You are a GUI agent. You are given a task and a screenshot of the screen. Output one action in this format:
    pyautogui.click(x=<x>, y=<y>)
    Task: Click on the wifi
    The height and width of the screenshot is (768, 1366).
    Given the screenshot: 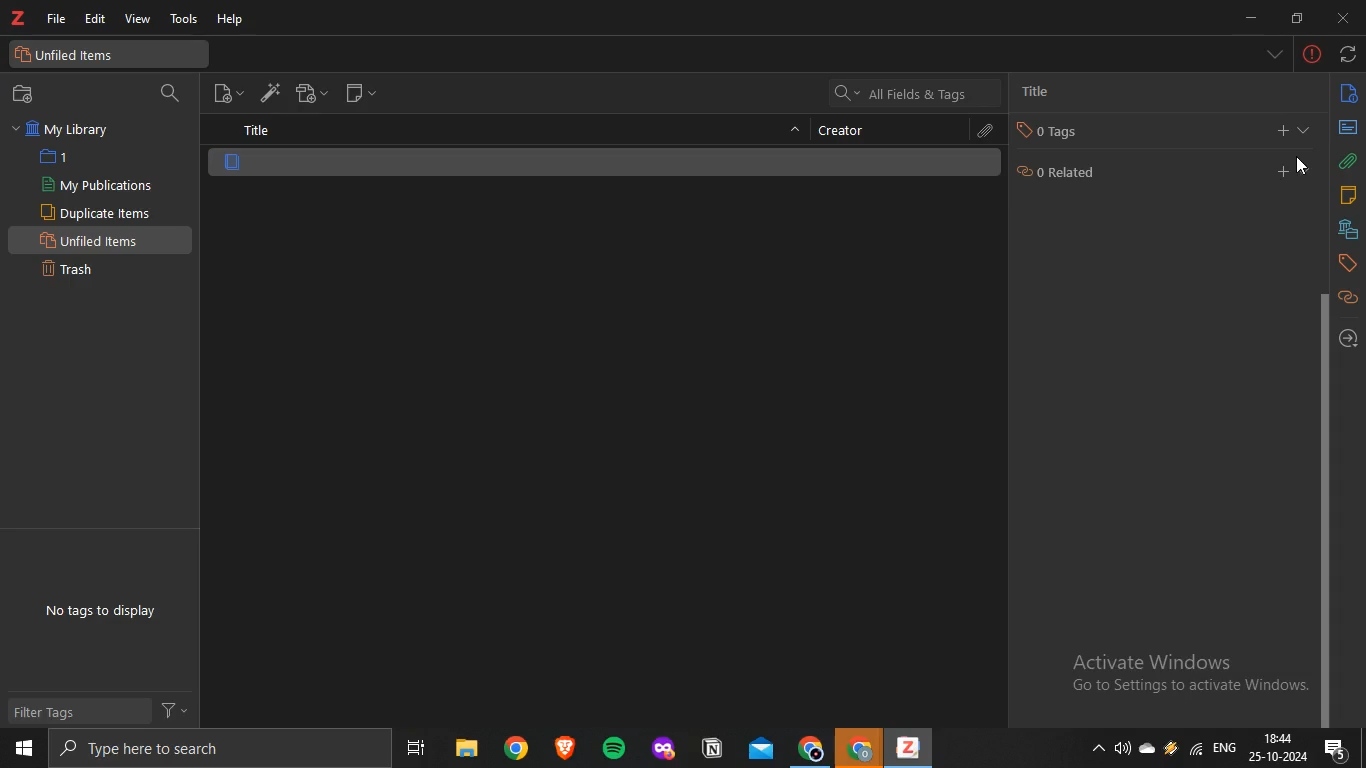 What is the action you would take?
    pyautogui.click(x=1198, y=749)
    